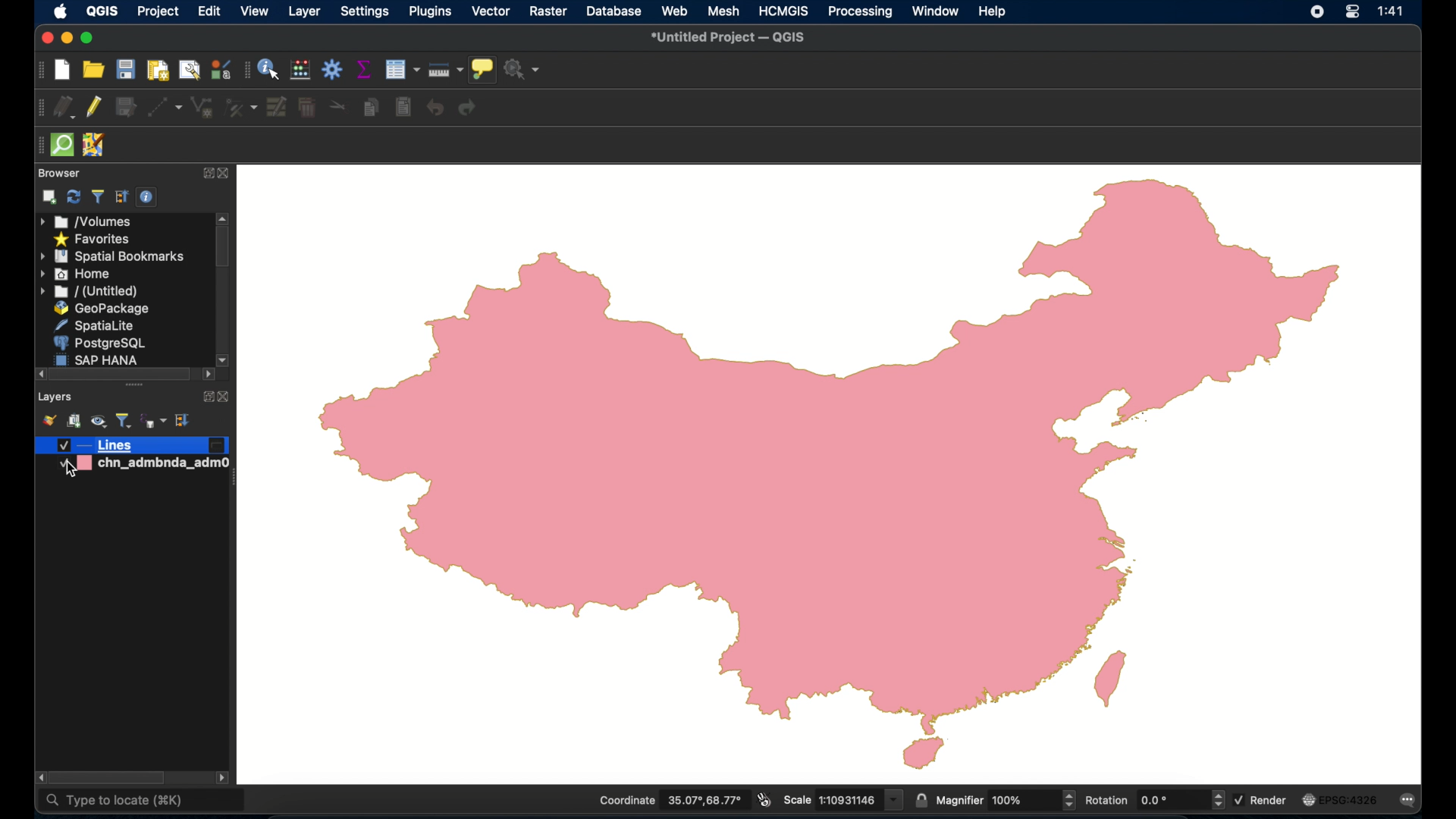 The image size is (1456, 819). Describe the element at coordinates (670, 800) in the screenshot. I see `coordinate` at that location.